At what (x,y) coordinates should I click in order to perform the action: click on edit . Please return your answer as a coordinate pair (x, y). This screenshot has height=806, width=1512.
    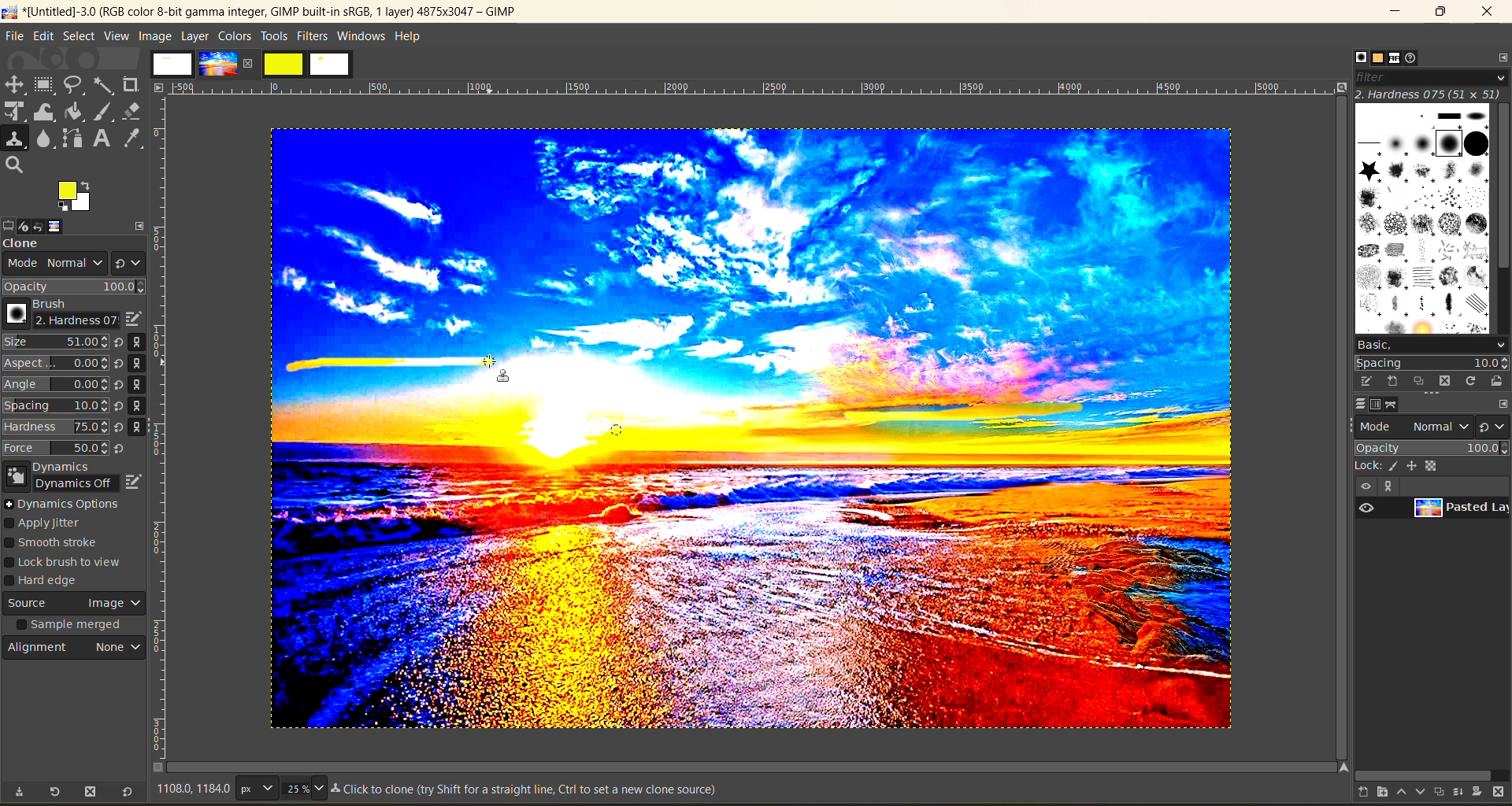
    Looking at the image, I should click on (132, 319).